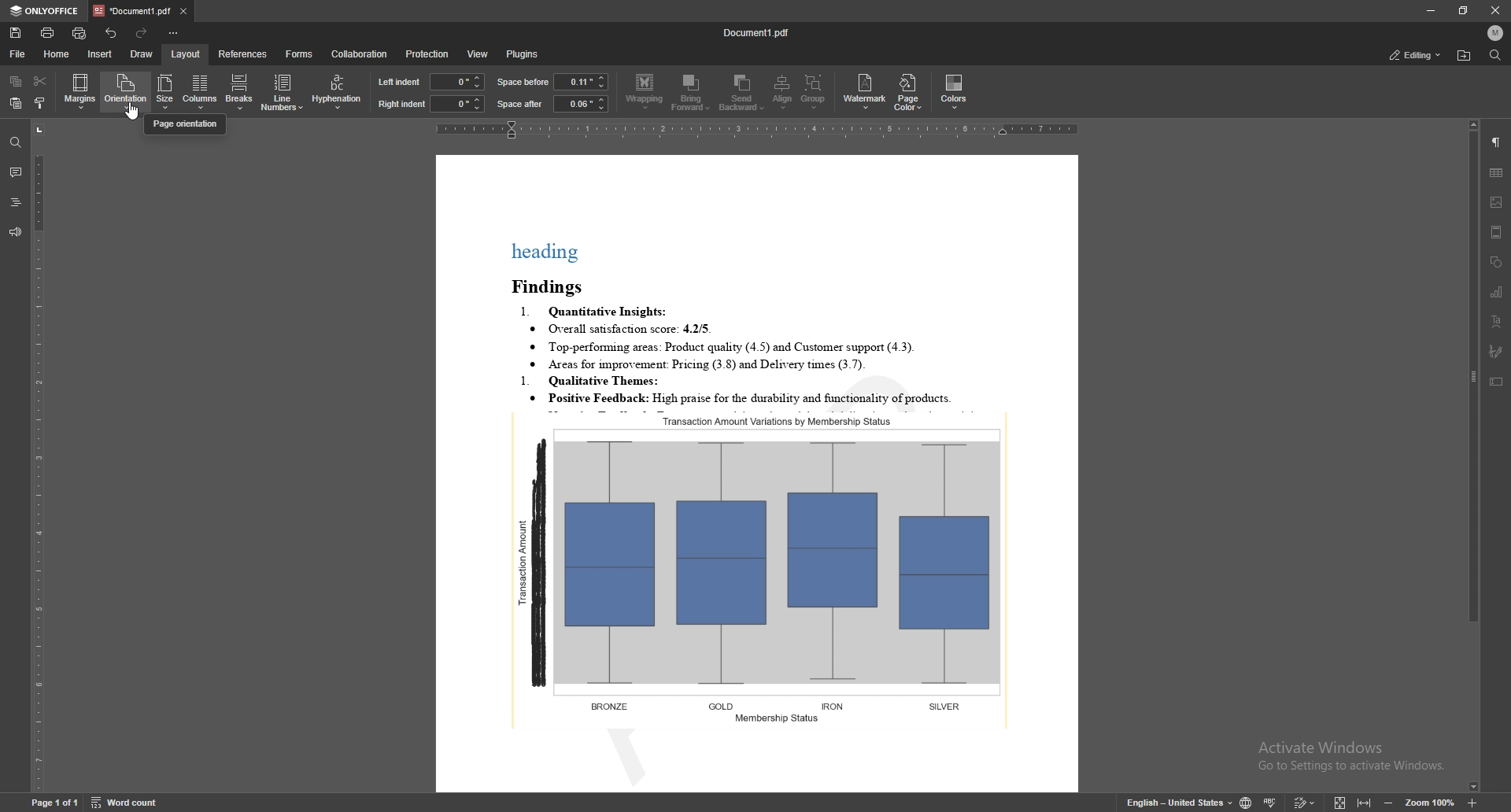  Describe the element at coordinates (907, 93) in the screenshot. I see `page color` at that location.